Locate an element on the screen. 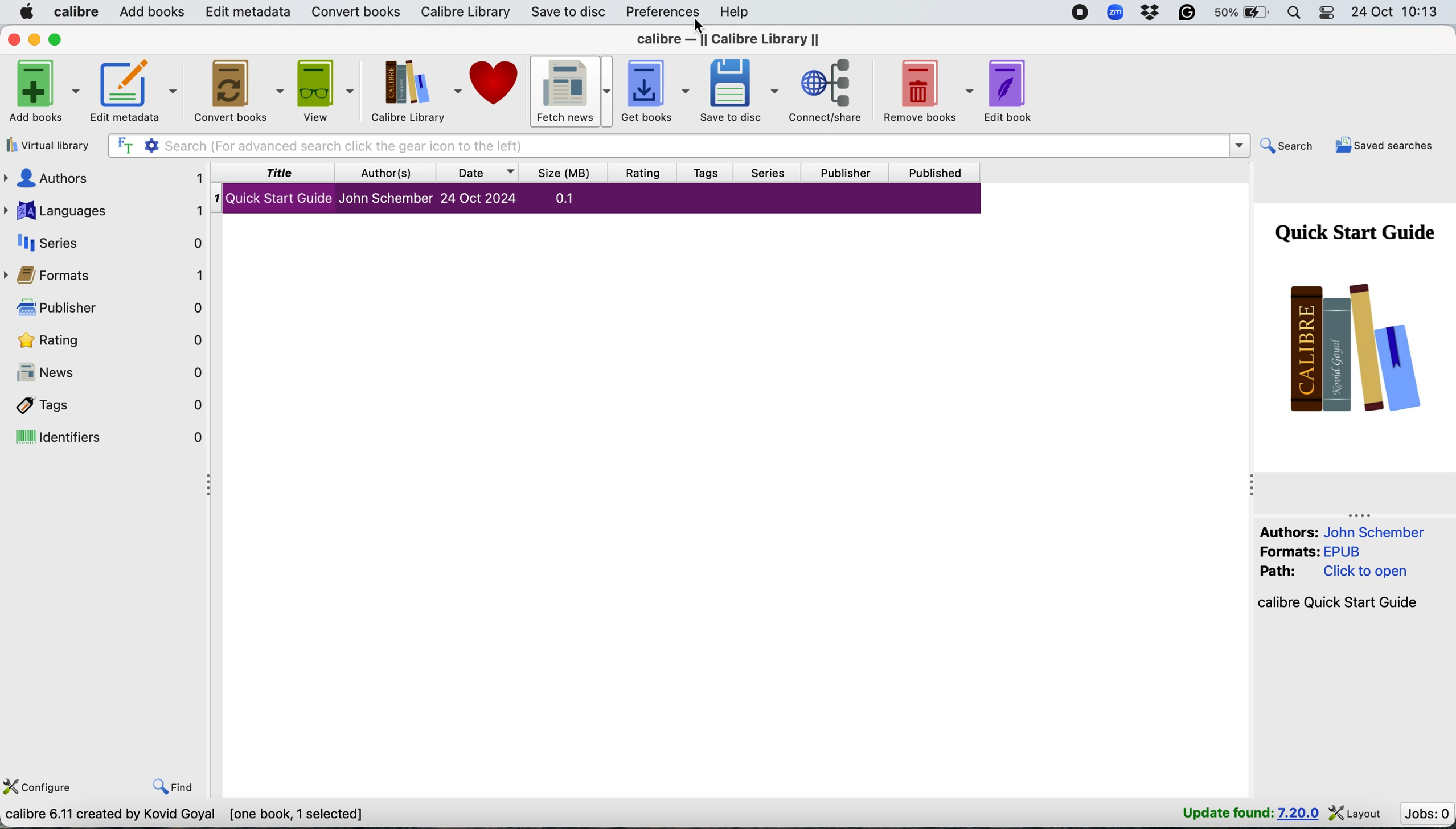 Image resolution: width=1456 pixels, height=829 pixels. virtual library is located at coordinates (51, 146).